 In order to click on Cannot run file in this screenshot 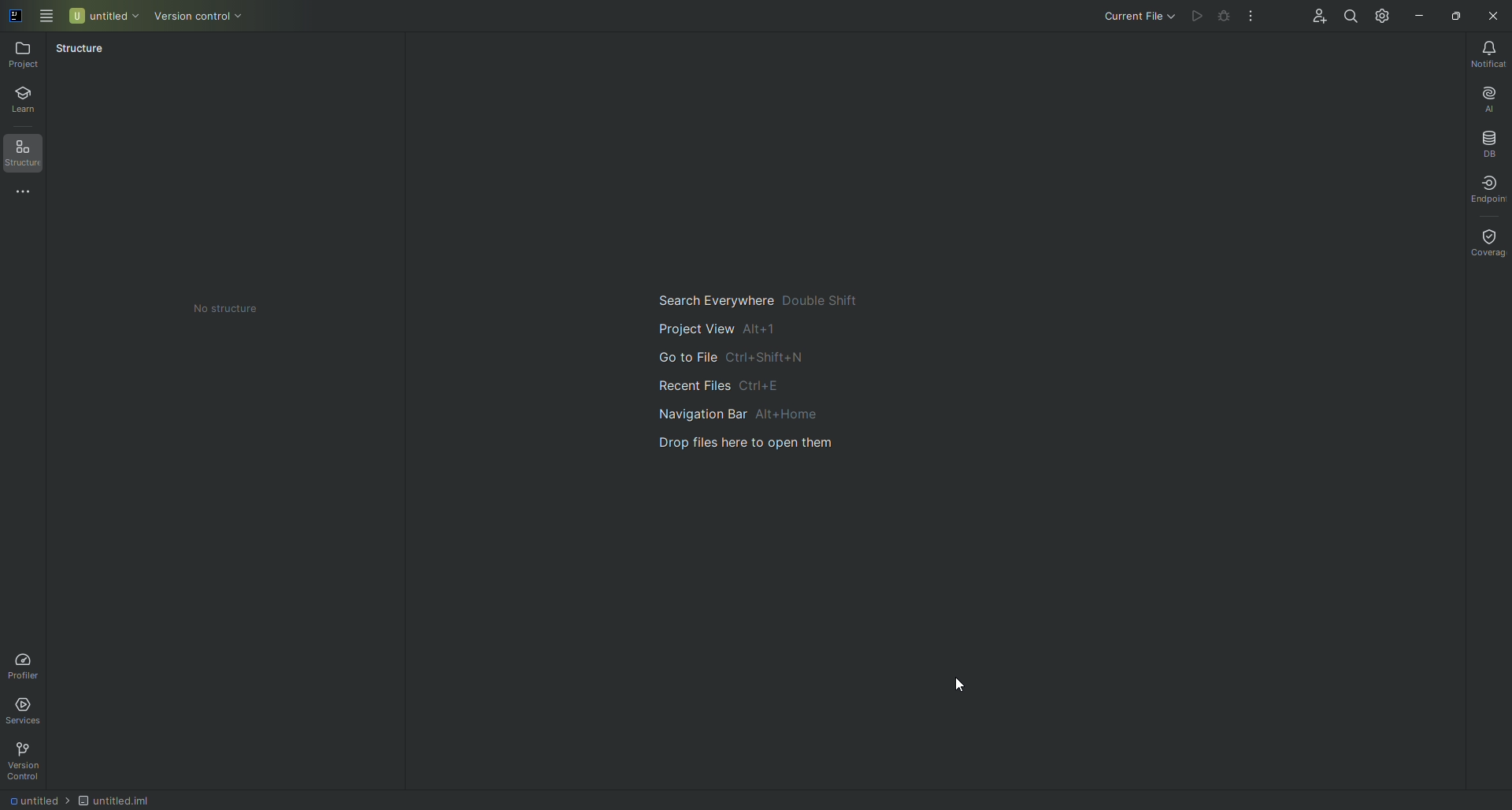, I will do `click(1196, 16)`.